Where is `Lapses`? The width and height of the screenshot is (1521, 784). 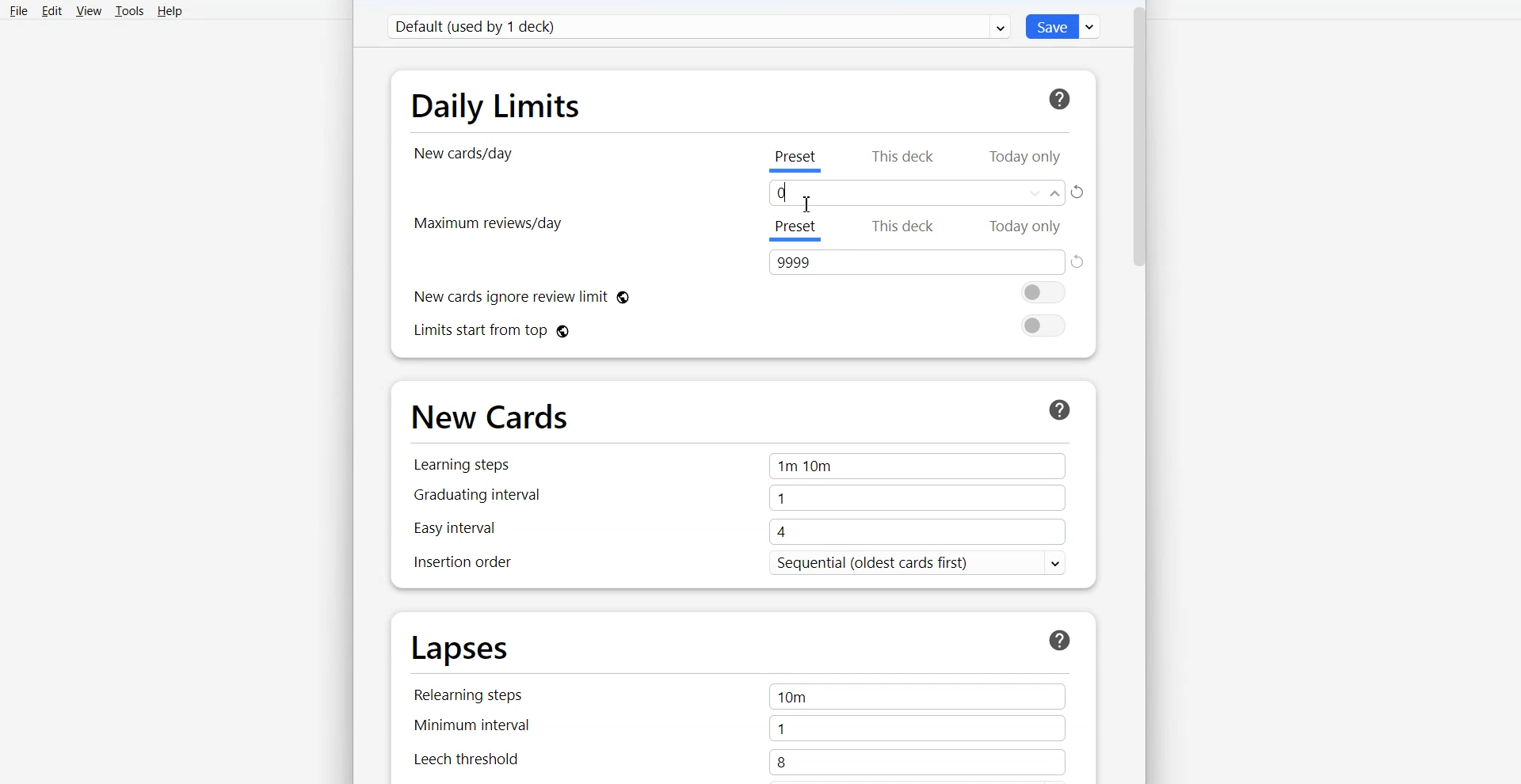 Lapses is located at coordinates (464, 650).